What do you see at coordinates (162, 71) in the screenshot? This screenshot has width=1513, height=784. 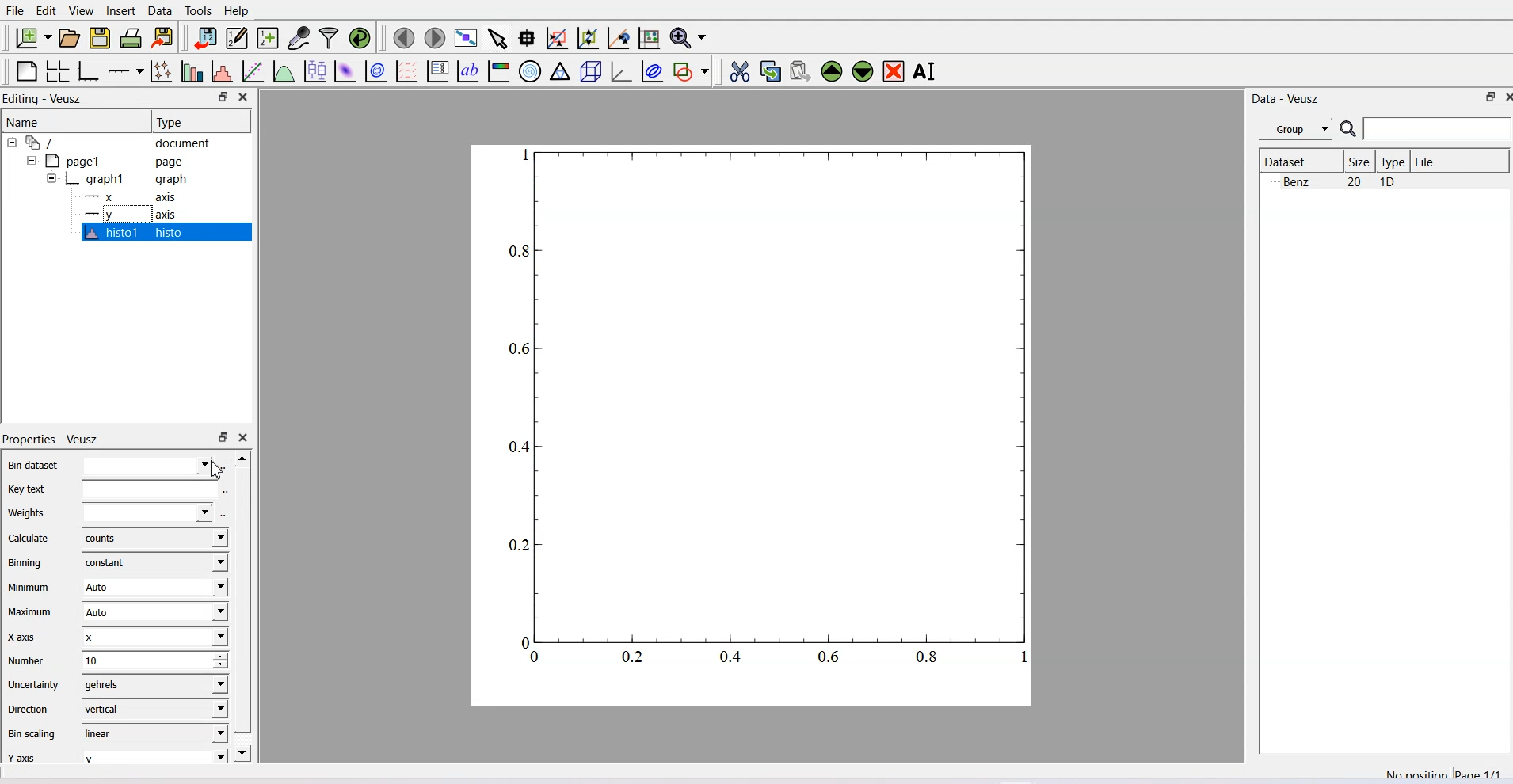 I see `Plot points with lines and errorbars` at bounding box center [162, 71].